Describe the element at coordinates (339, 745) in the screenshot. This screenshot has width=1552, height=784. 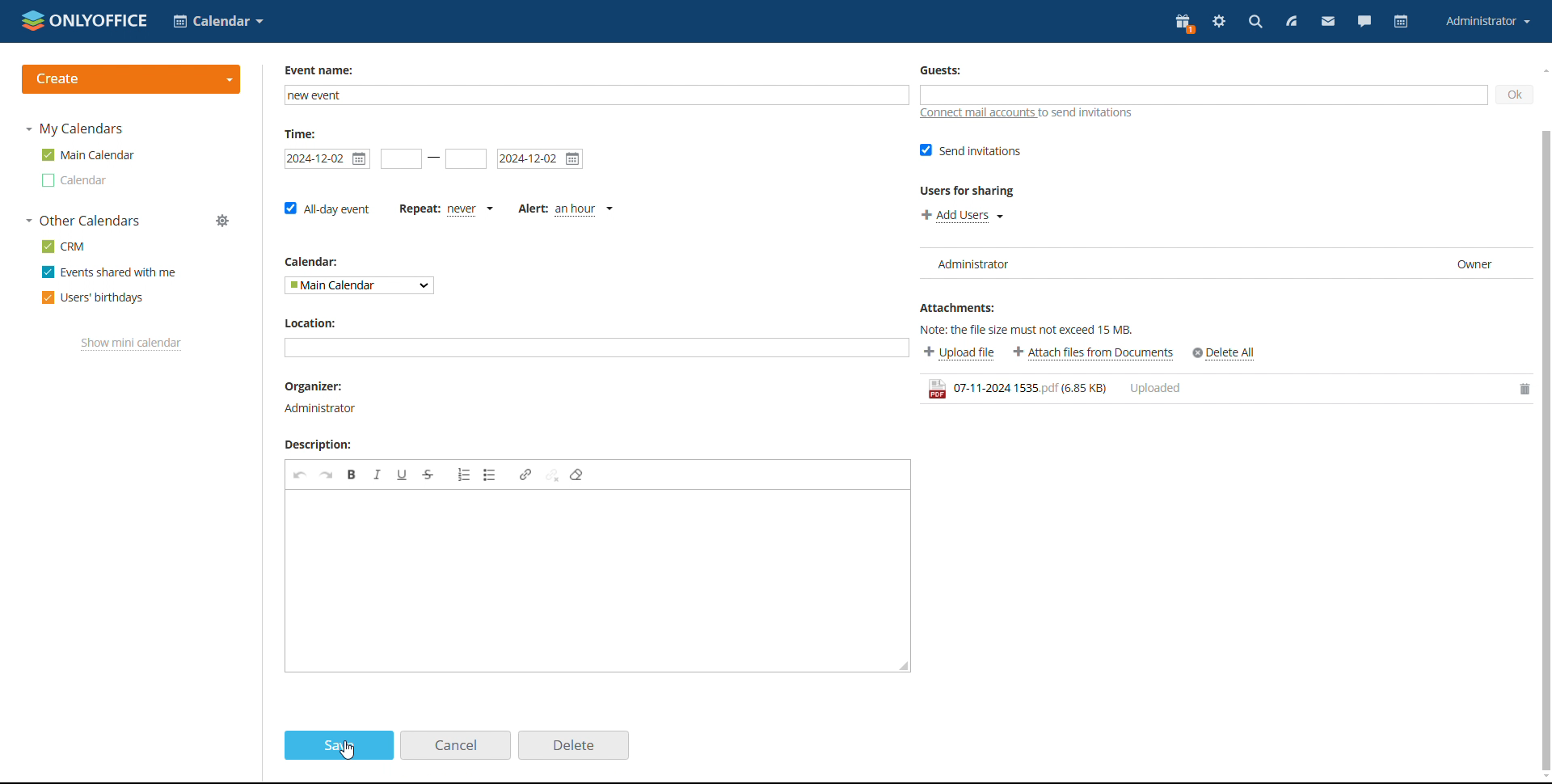
I see `save` at that location.